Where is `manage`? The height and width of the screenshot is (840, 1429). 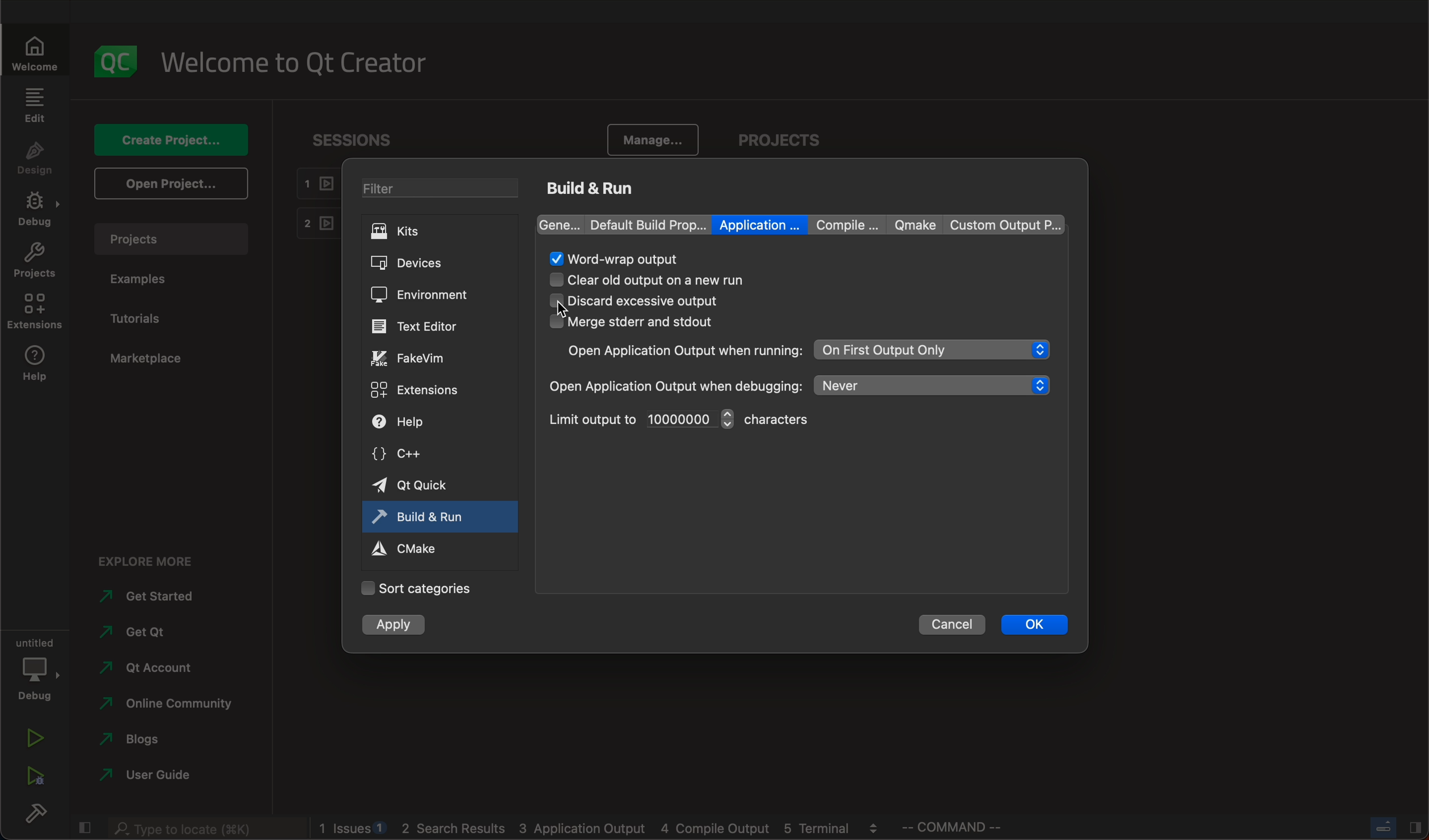 manage is located at coordinates (657, 138).